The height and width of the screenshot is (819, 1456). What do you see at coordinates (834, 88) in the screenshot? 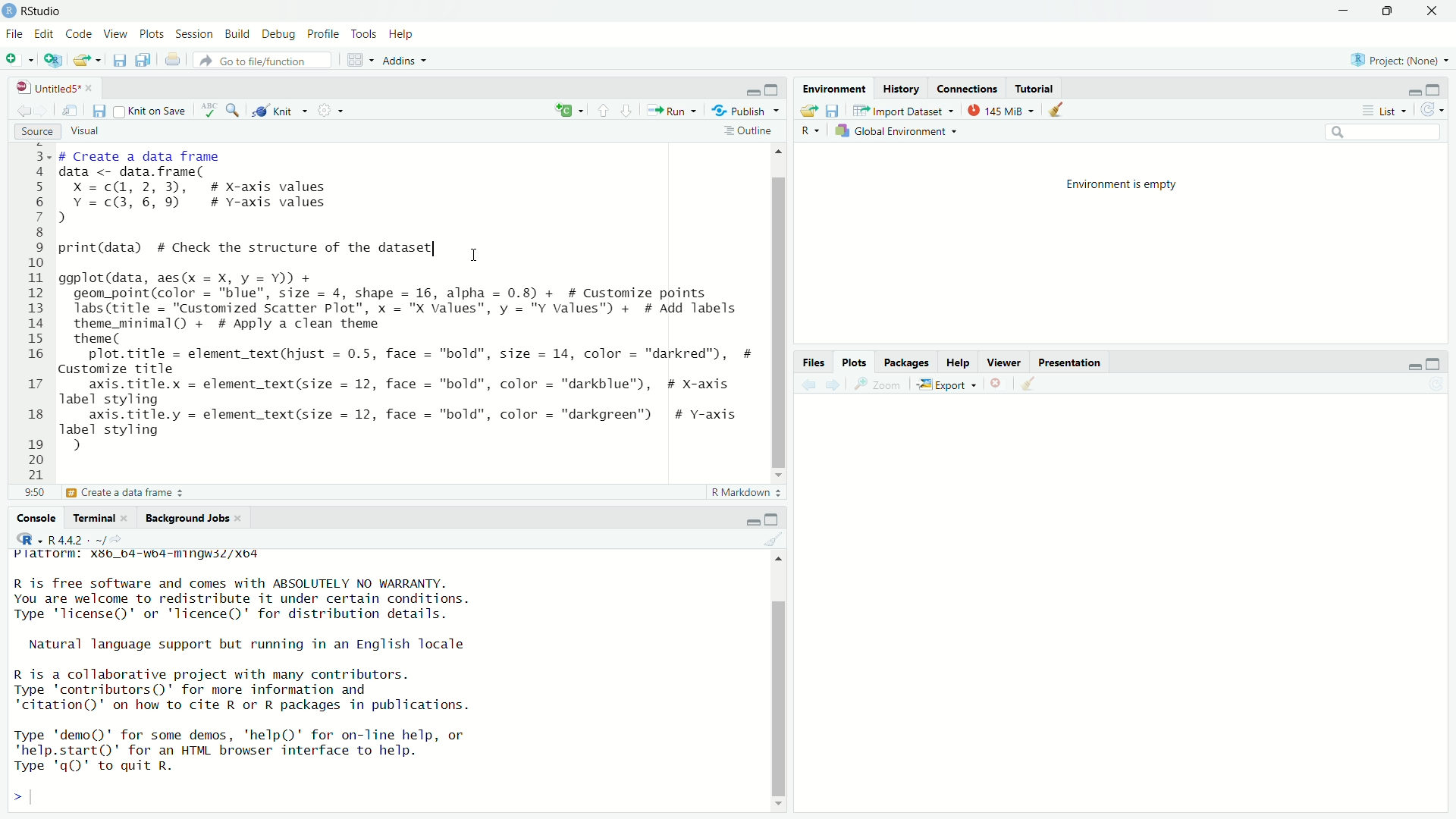
I see `Environment` at bounding box center [834, 88].